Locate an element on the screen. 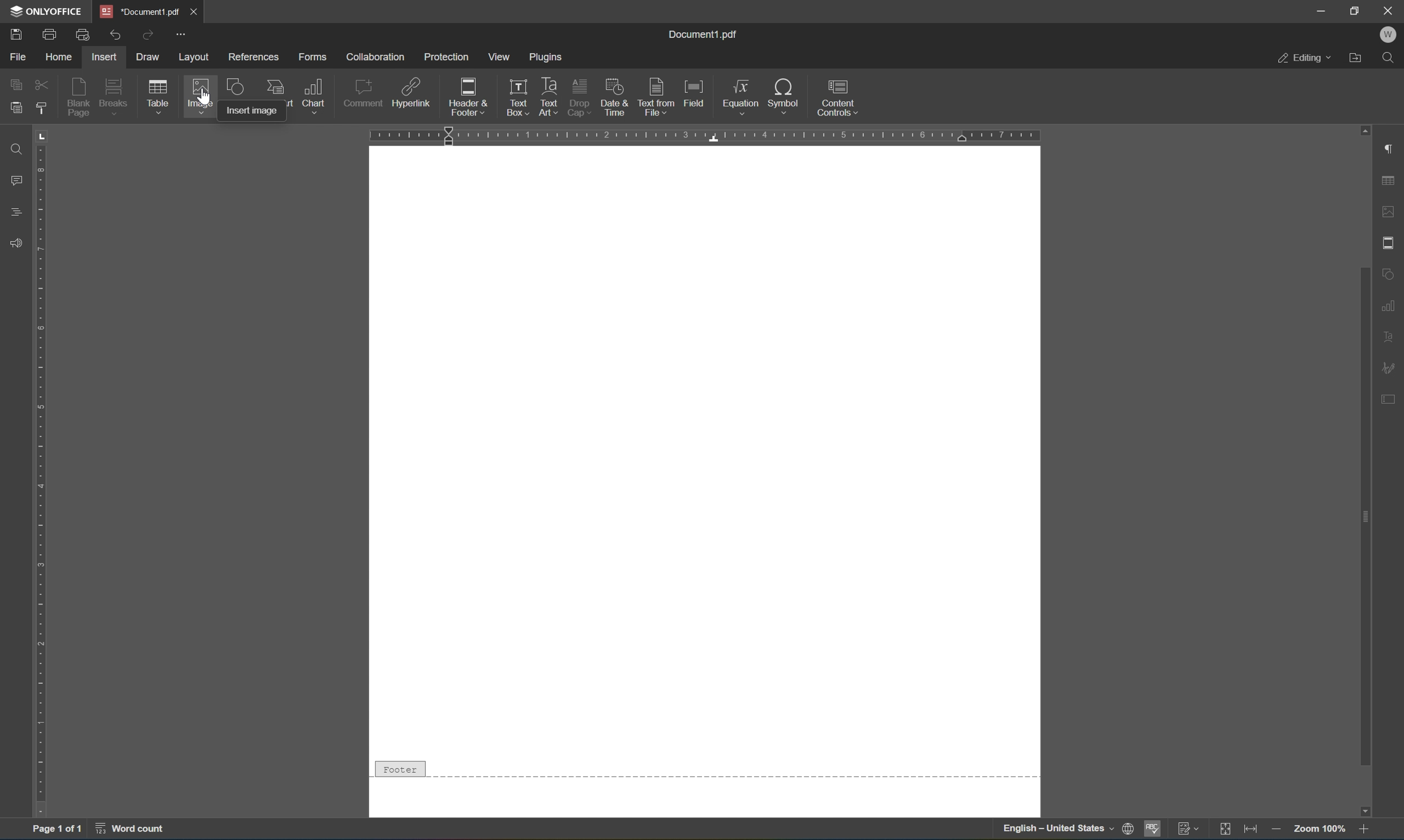 The image size is (1404, 840). layout is located at coordinates (196, 57).